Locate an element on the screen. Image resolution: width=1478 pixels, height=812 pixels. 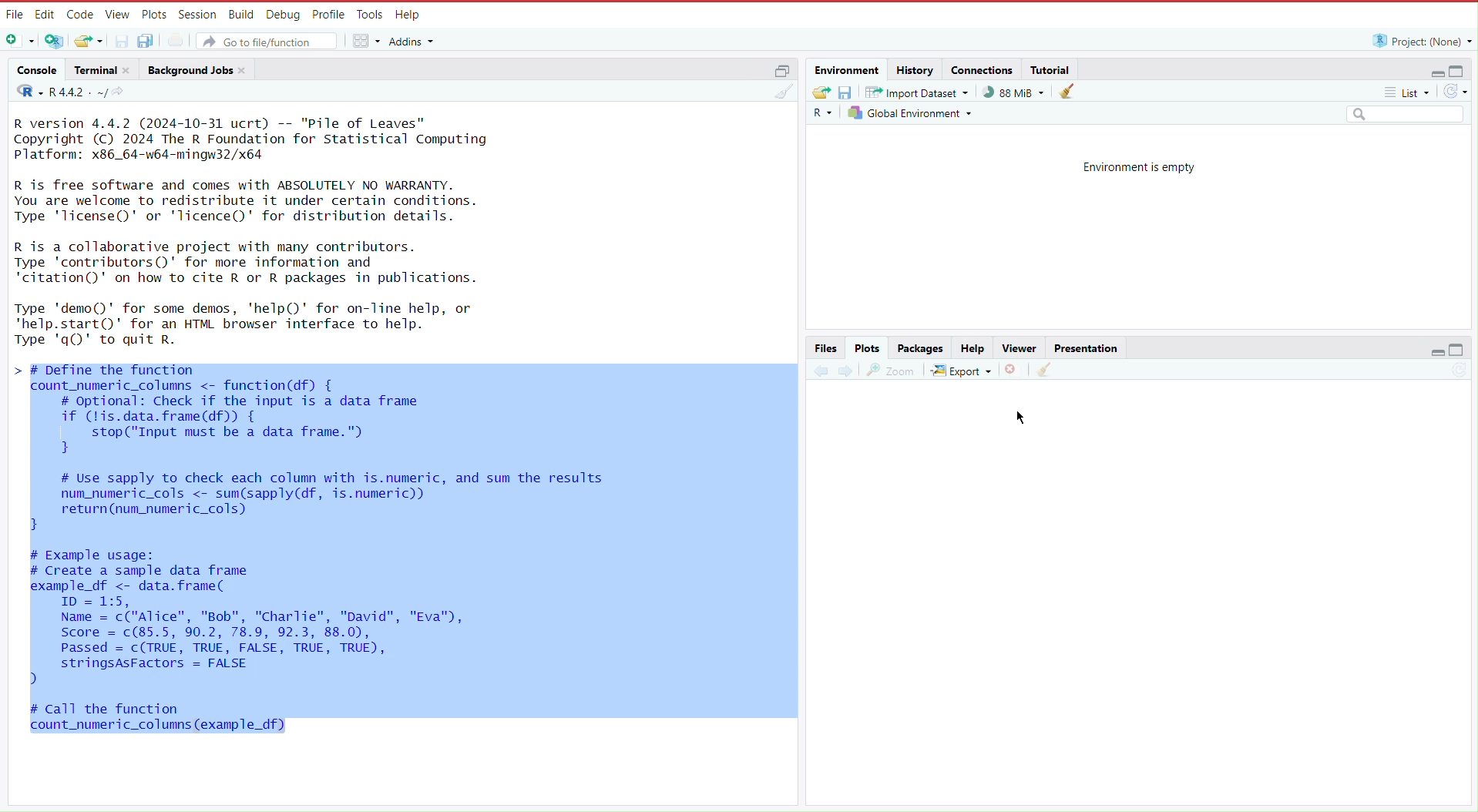
Print the current file is located at coordinates (183, 39).